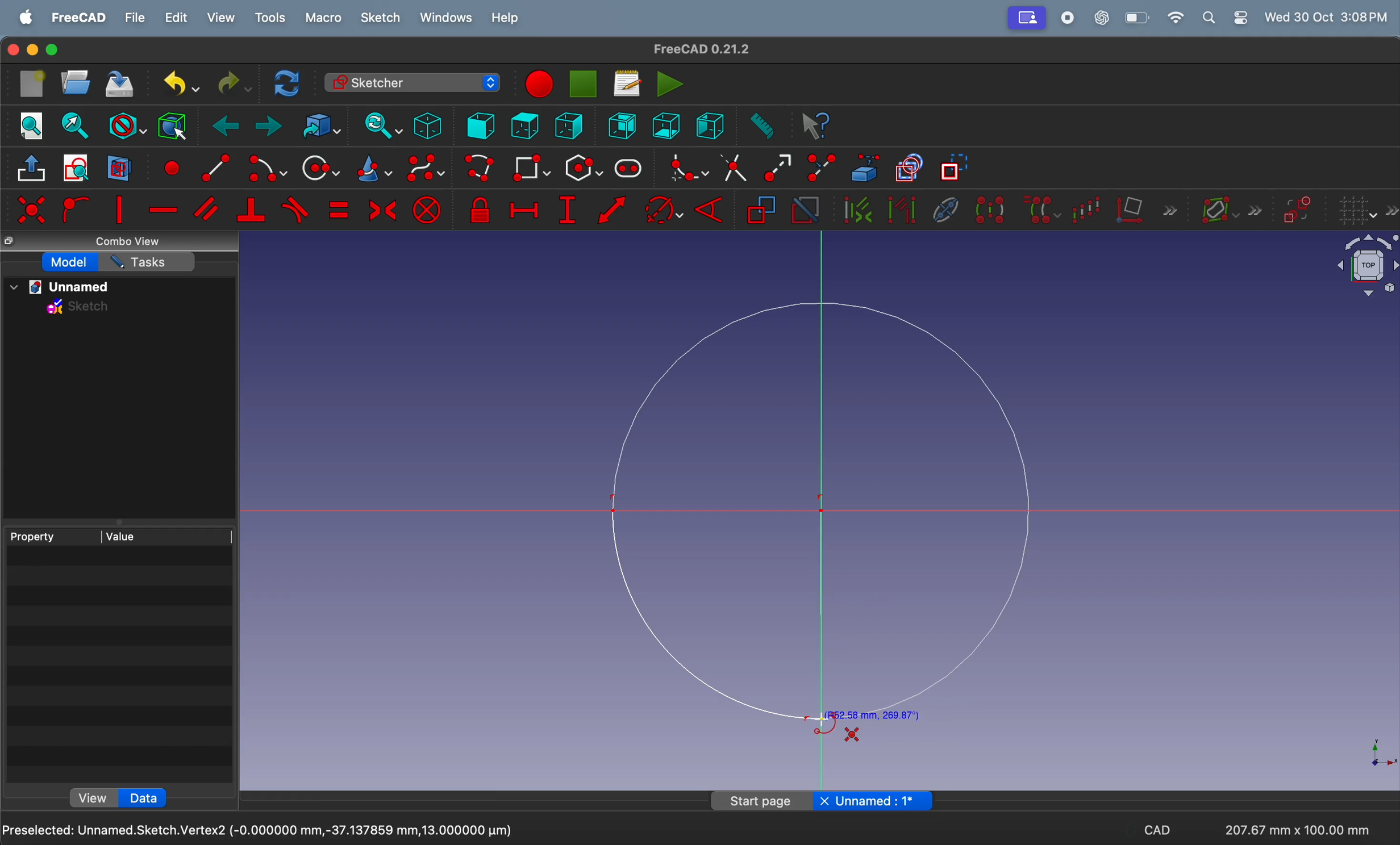  What do you see at coordinates (76, 82) in the screenshot?
I see `open new document` at bounding box center [76, 82].